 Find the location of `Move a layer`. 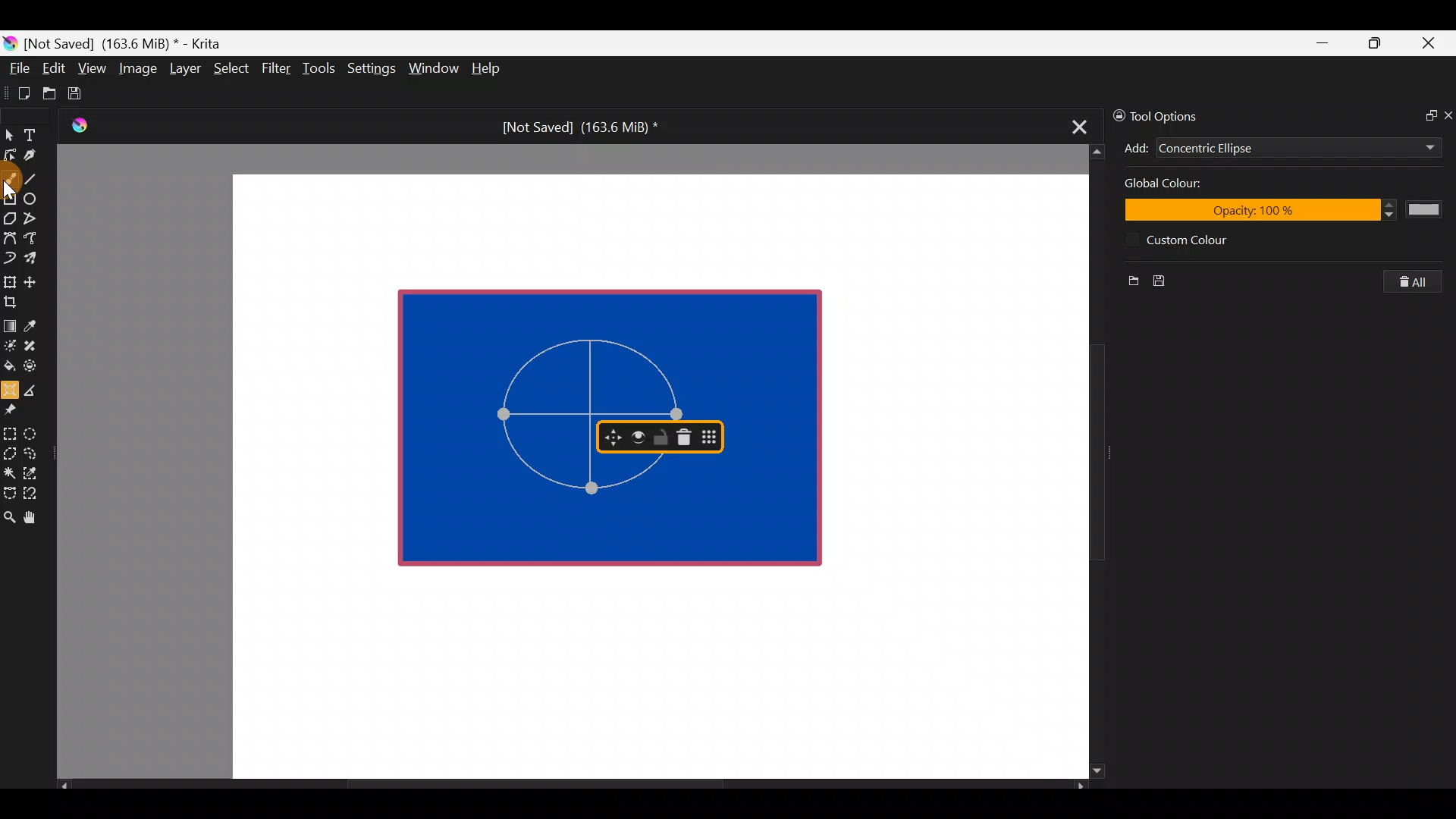

Move a layer is located at coordinates (35, 280).